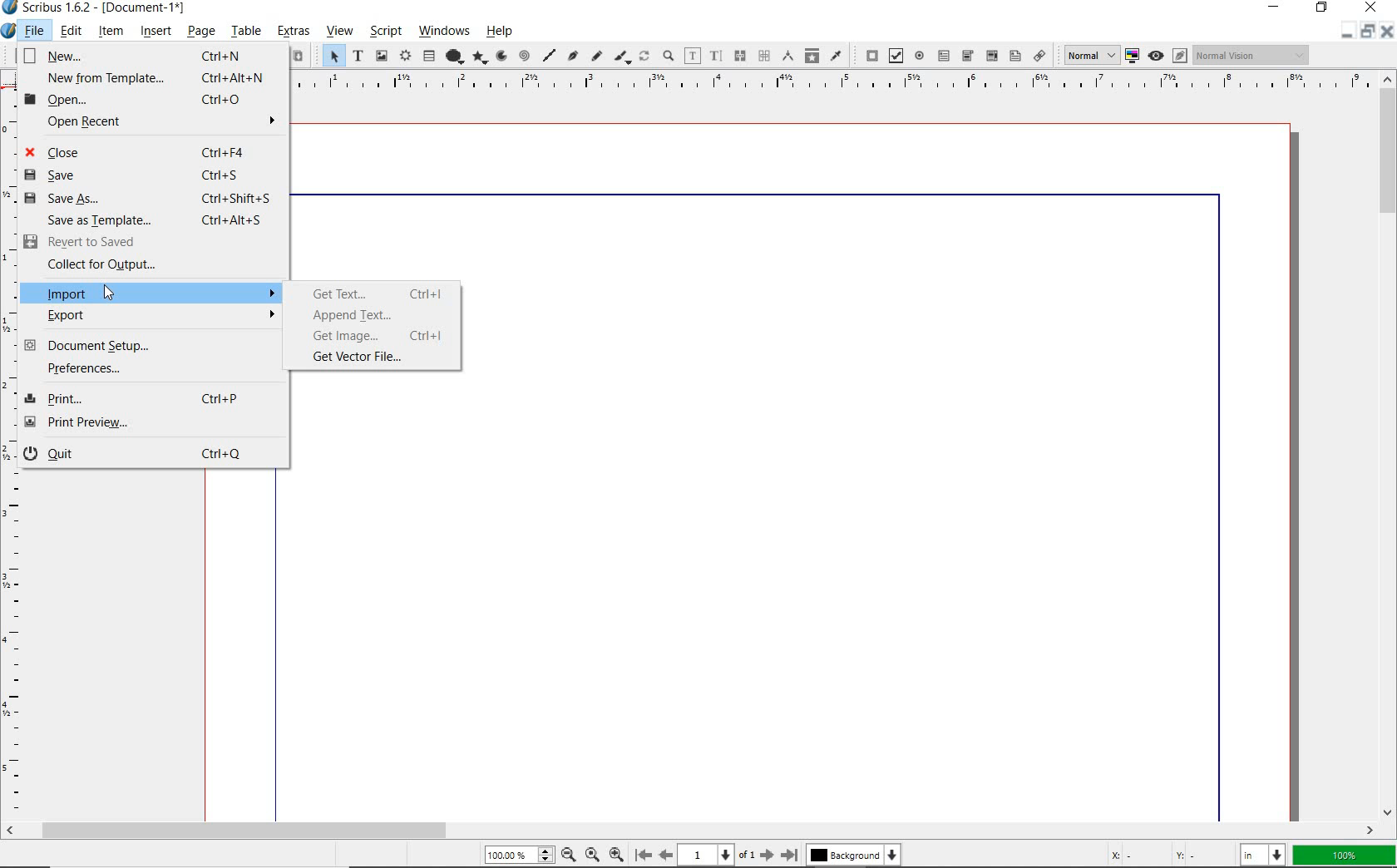 The image size is (1397, 868). Describe the element at coordinates (481, 57) in the screenshot. I see `polygon` at that location.